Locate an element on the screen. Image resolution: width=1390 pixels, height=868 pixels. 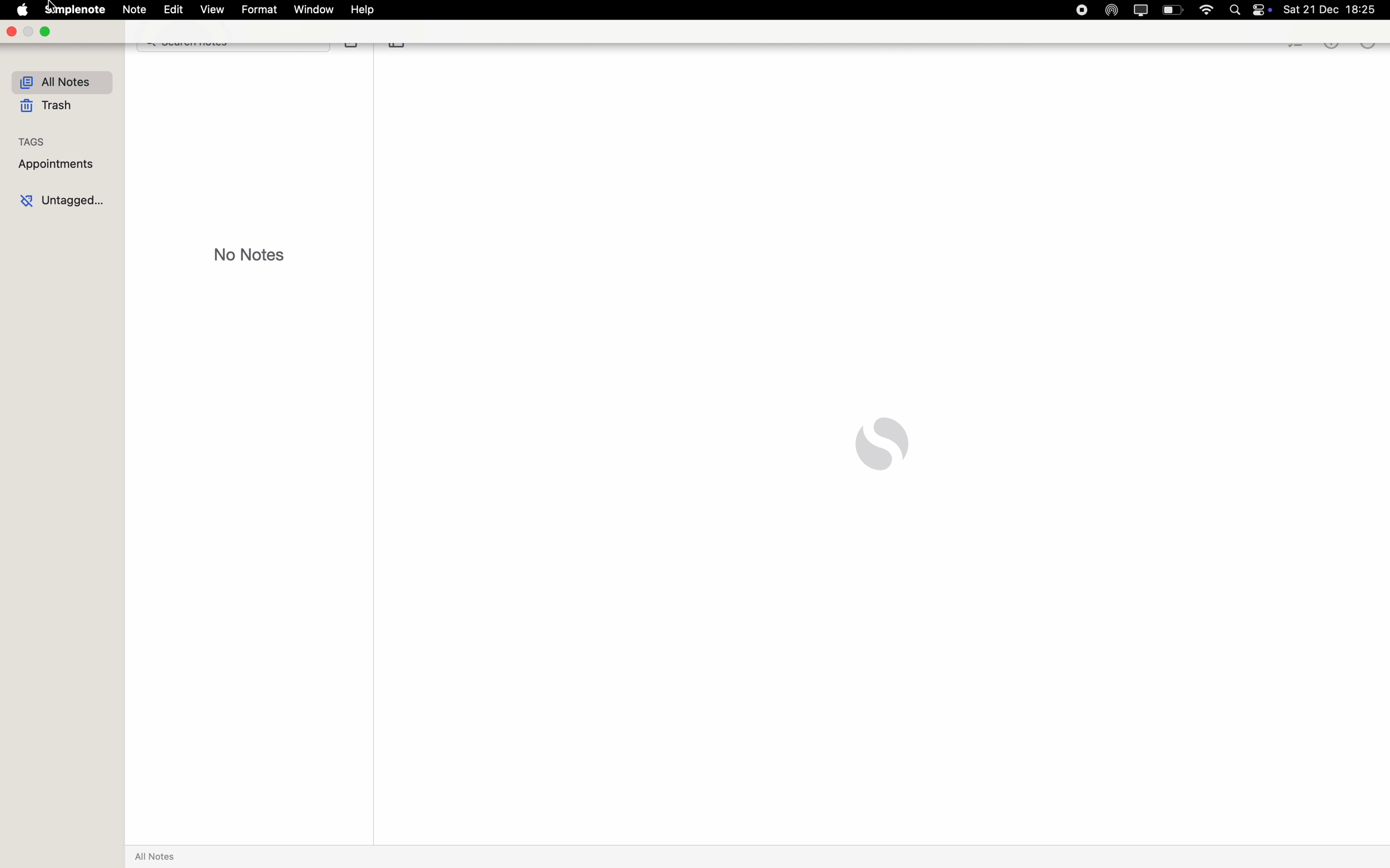
all notes is located at coordinates (157, 858).